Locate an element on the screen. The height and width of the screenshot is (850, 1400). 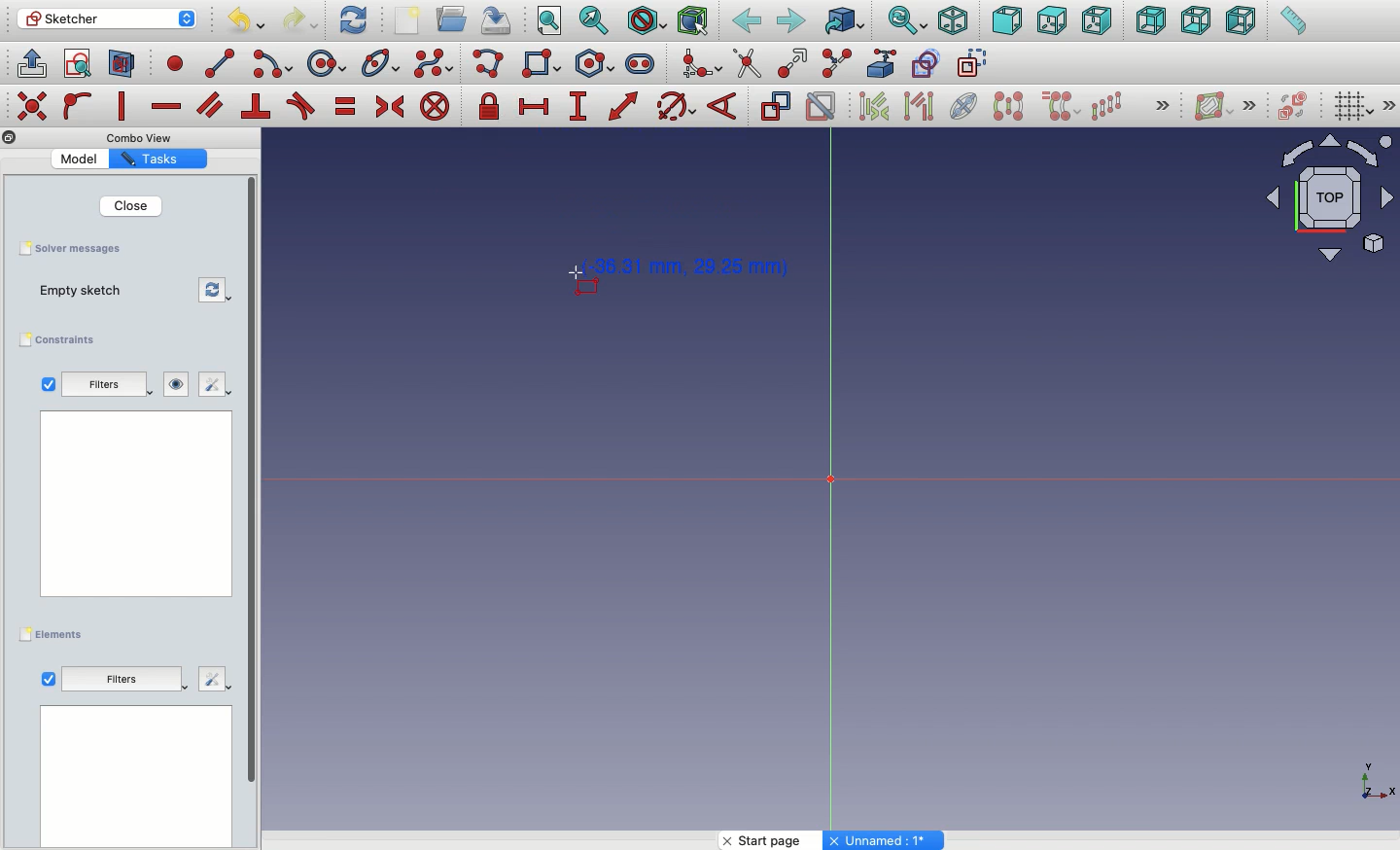
elements is located at coordinates (54, 635).